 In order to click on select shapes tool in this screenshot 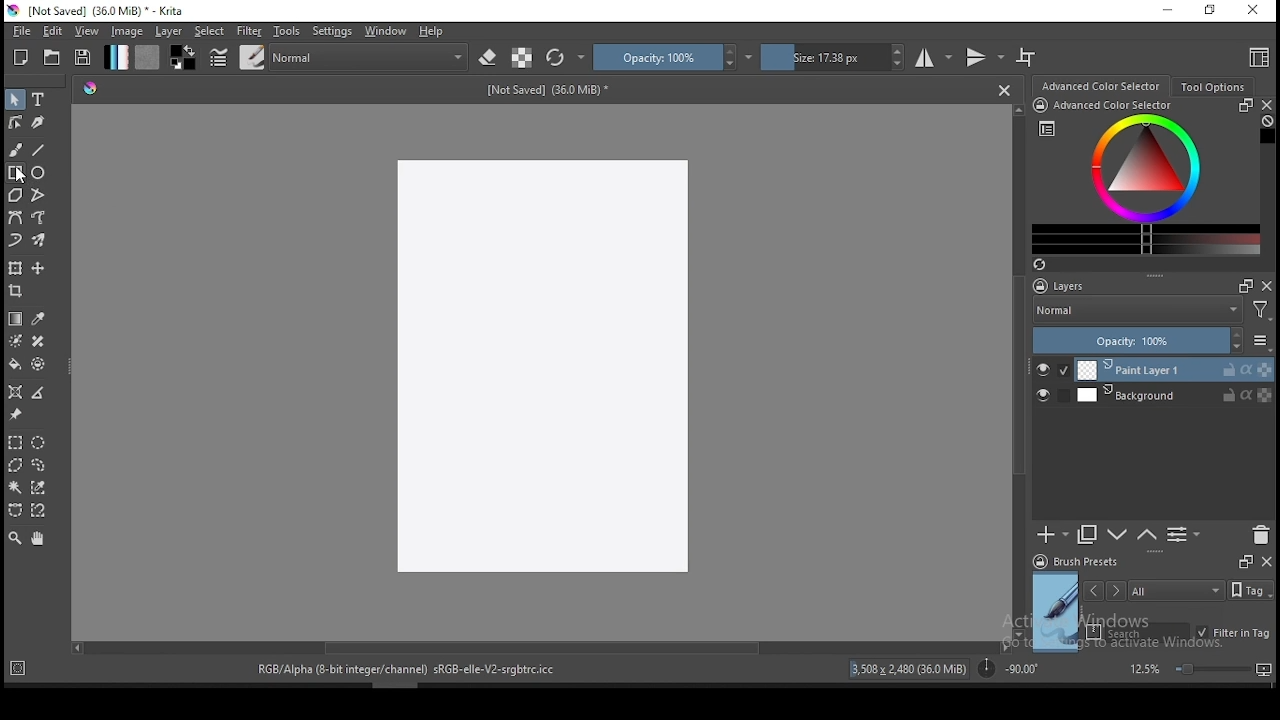, I will do `click(15, 99)`.